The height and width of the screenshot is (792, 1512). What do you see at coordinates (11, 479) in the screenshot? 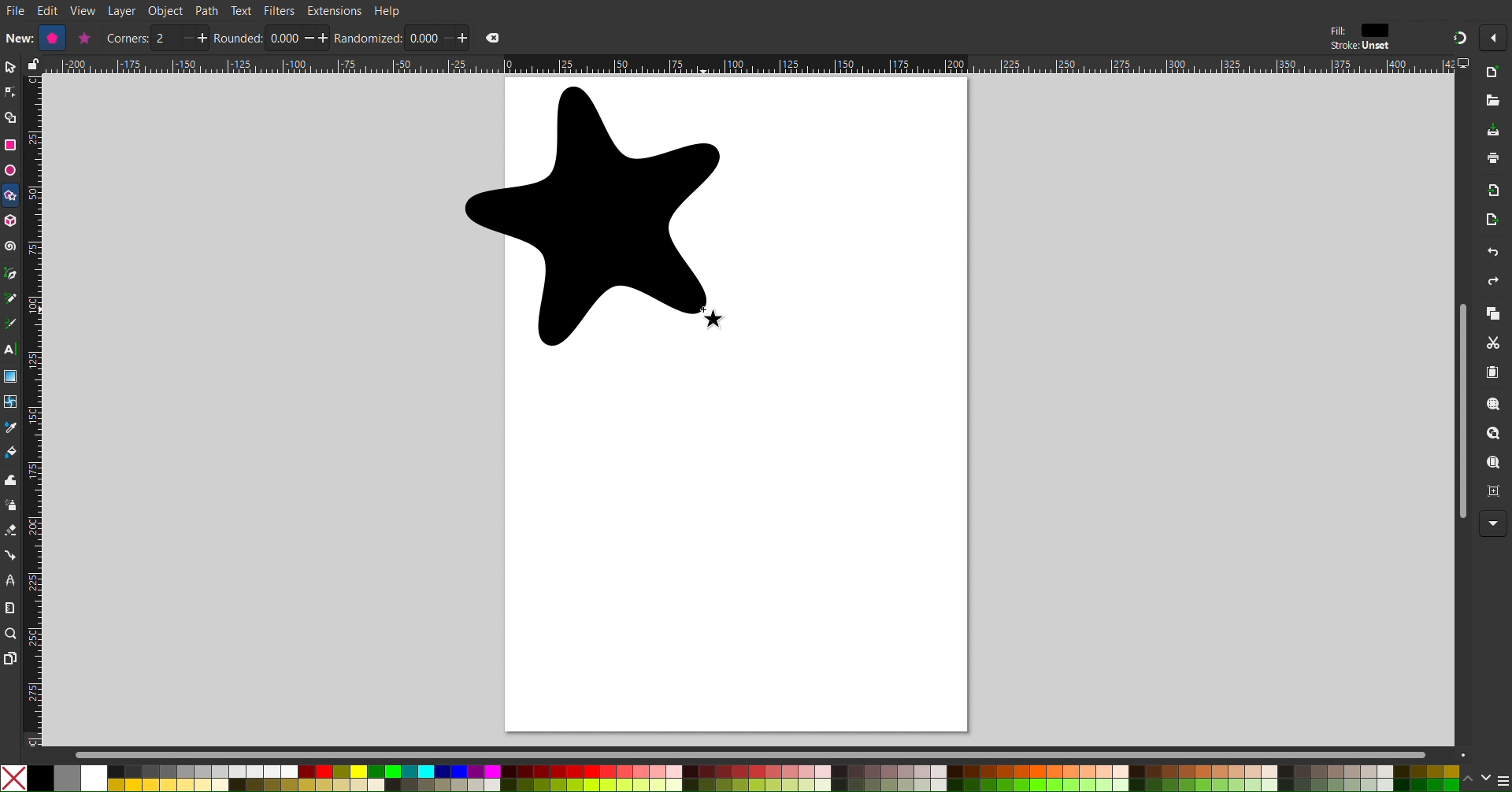
I see `Tweak Tool` at bounding box center [11, 479].